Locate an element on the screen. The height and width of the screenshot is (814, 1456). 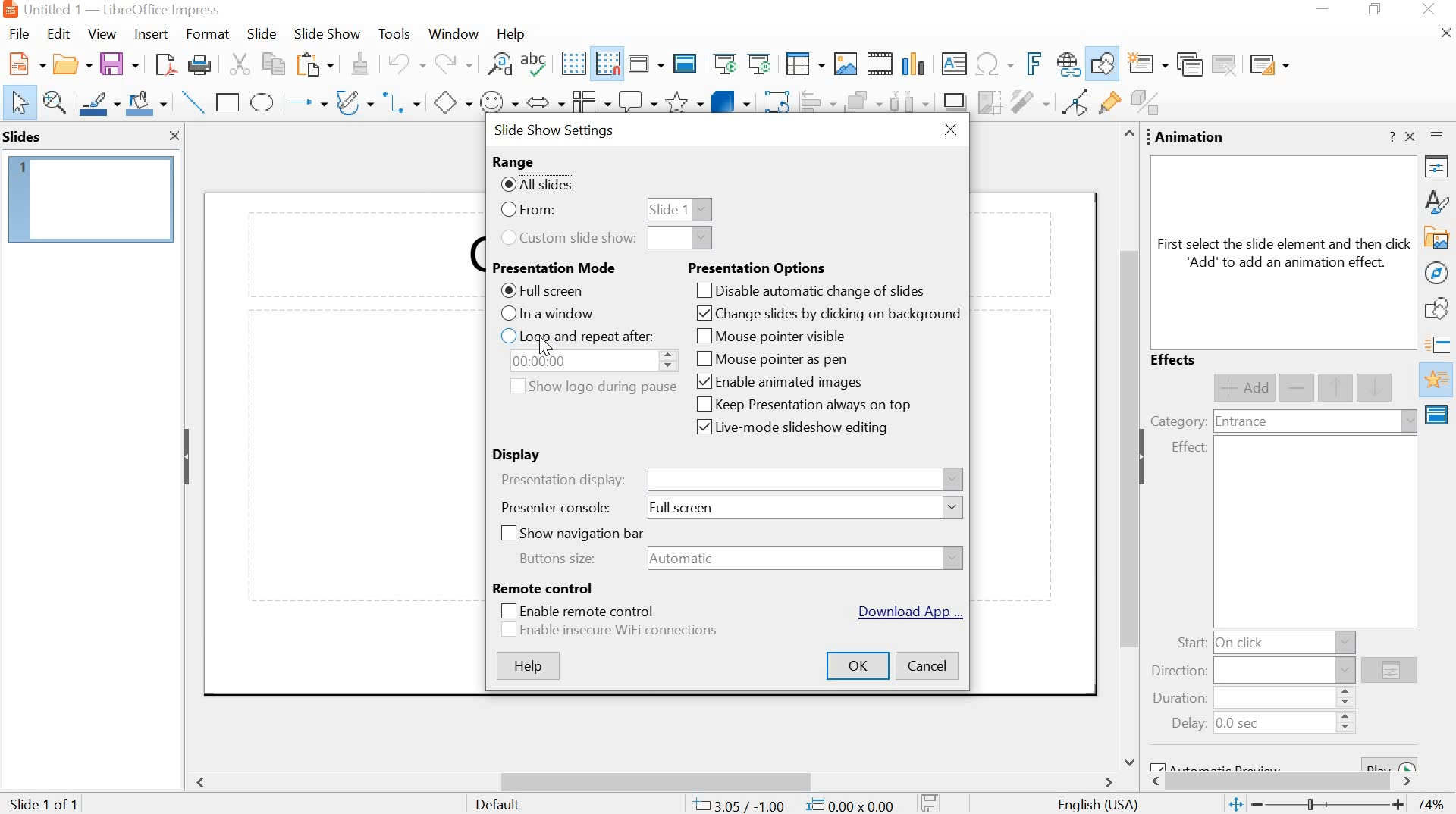
full screen is located at coordinates (686, 511).